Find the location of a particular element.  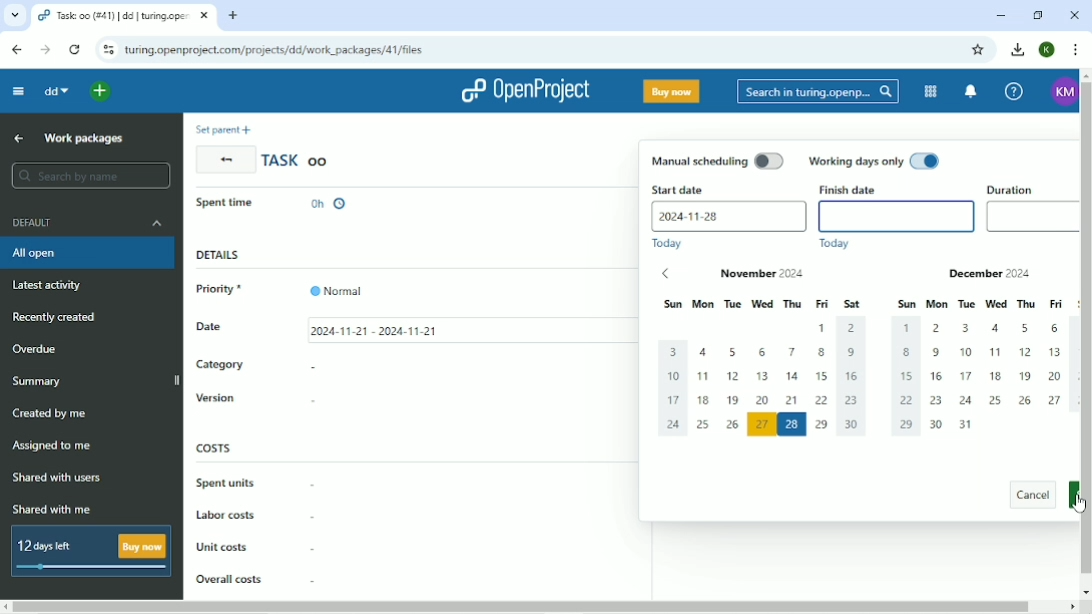

Task oo is located at coordinates (299, 160).